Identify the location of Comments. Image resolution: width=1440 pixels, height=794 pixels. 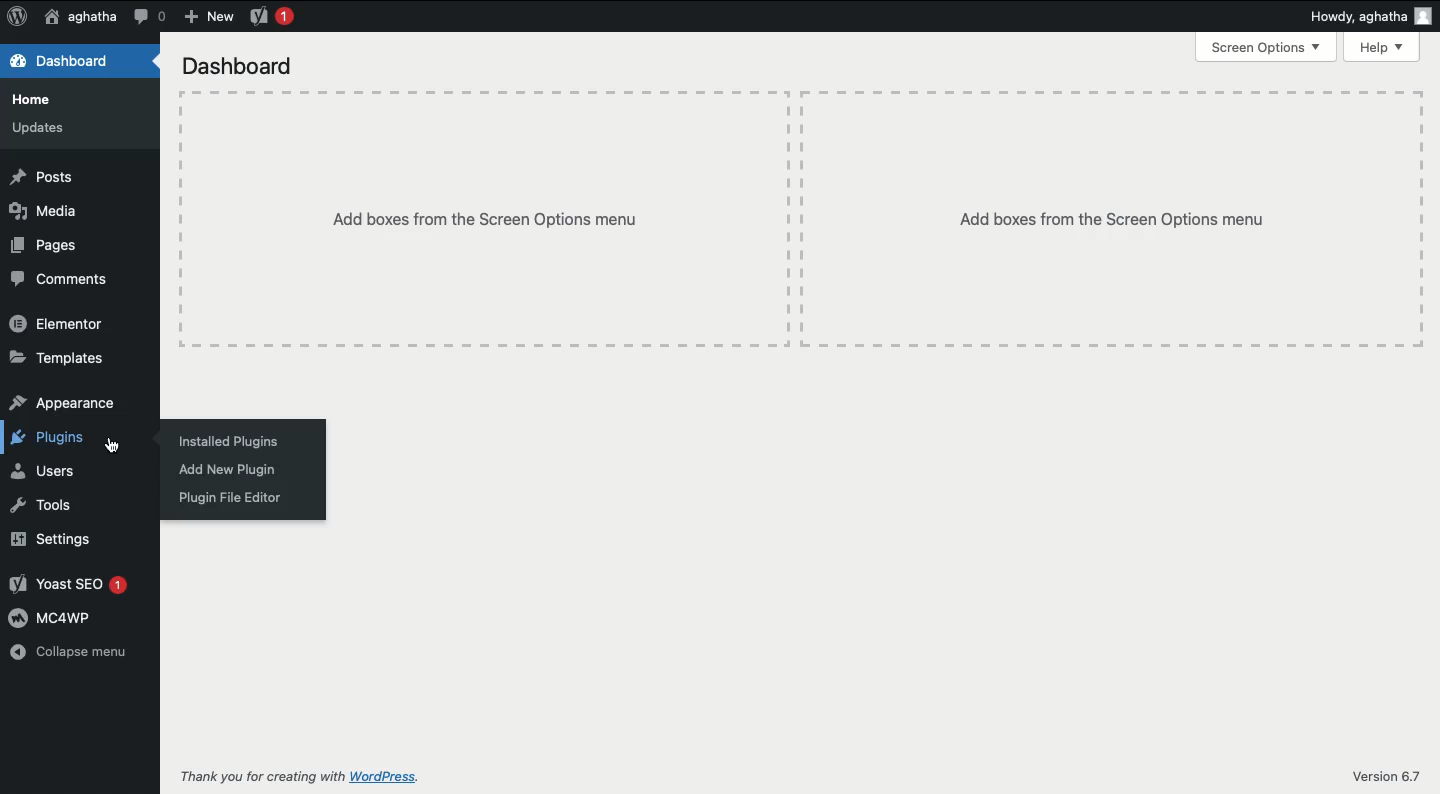
(59, 279).